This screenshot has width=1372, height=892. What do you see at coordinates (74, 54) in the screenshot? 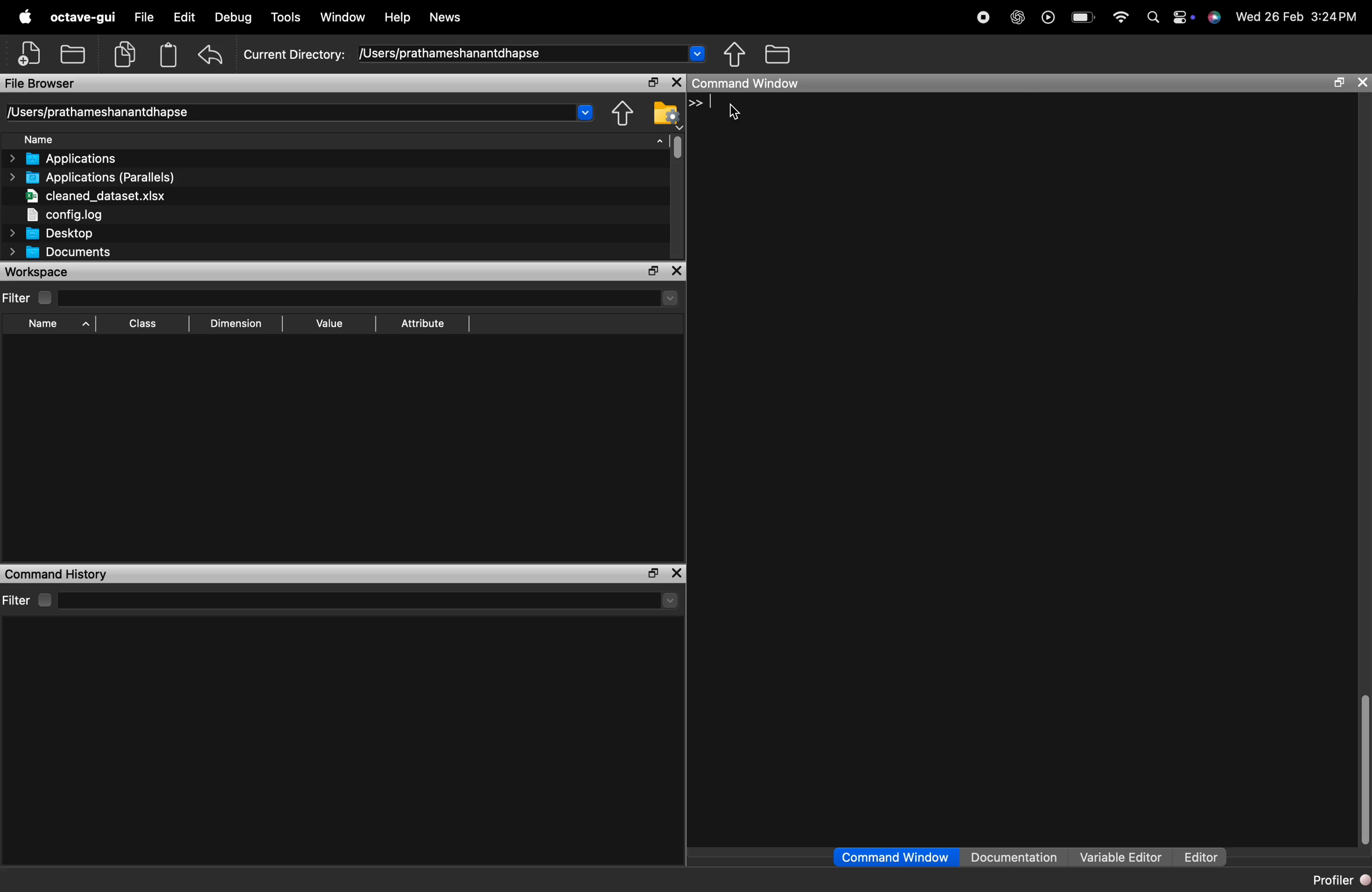
I see `open an existing file in directory` at bounding box center [74, 54].